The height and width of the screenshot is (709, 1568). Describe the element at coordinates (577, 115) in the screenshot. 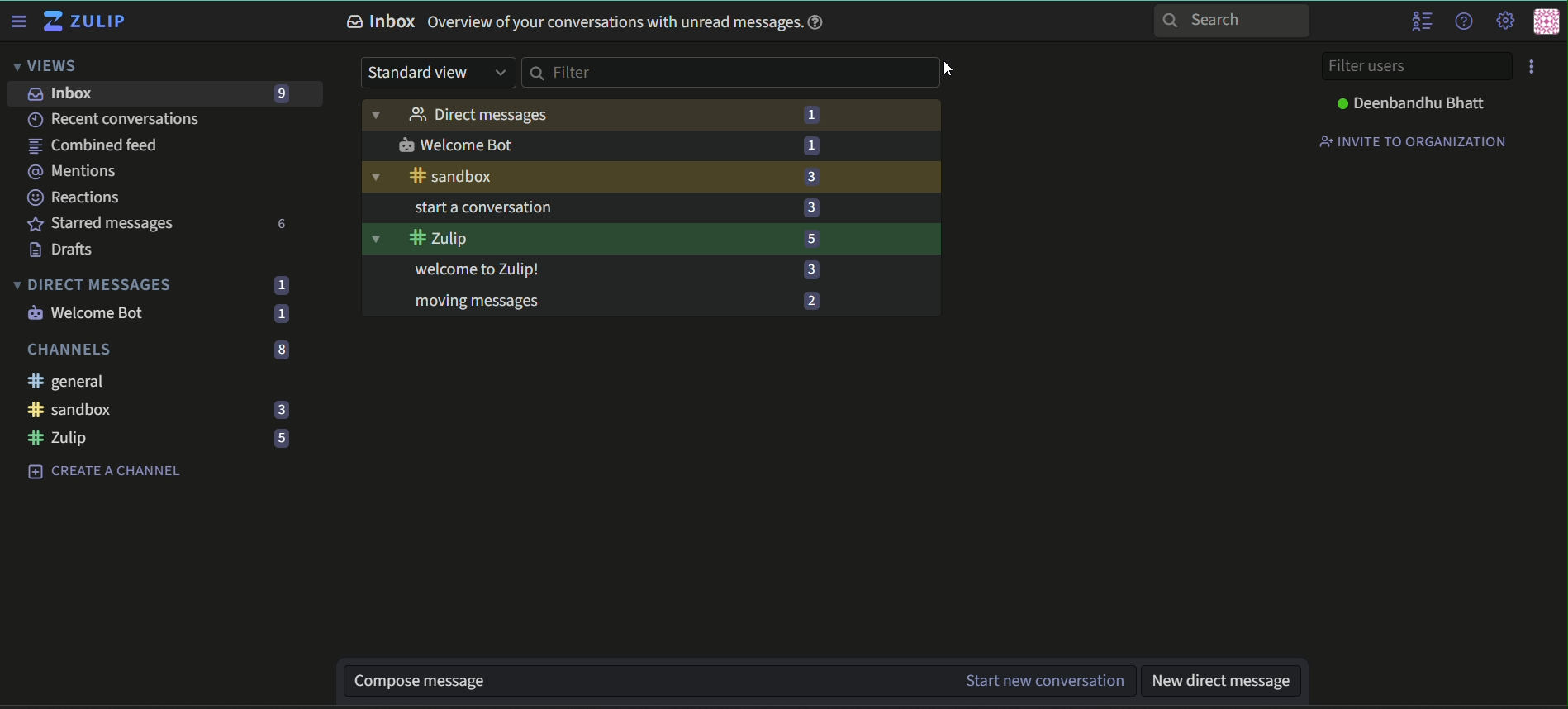

I see `Direct messages` at that location.